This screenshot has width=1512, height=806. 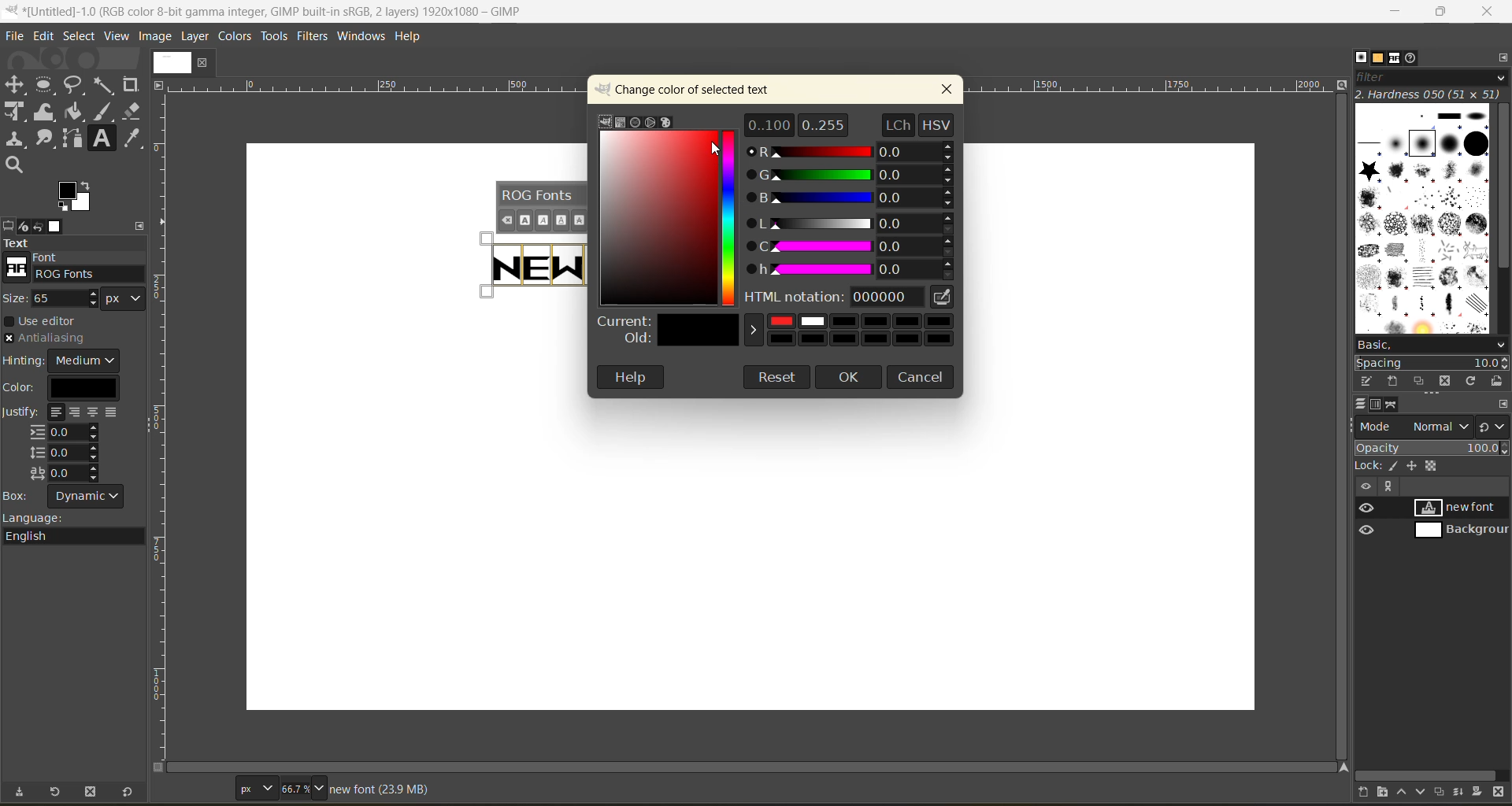 I want to click on hide, so click(x=1365, y=486).